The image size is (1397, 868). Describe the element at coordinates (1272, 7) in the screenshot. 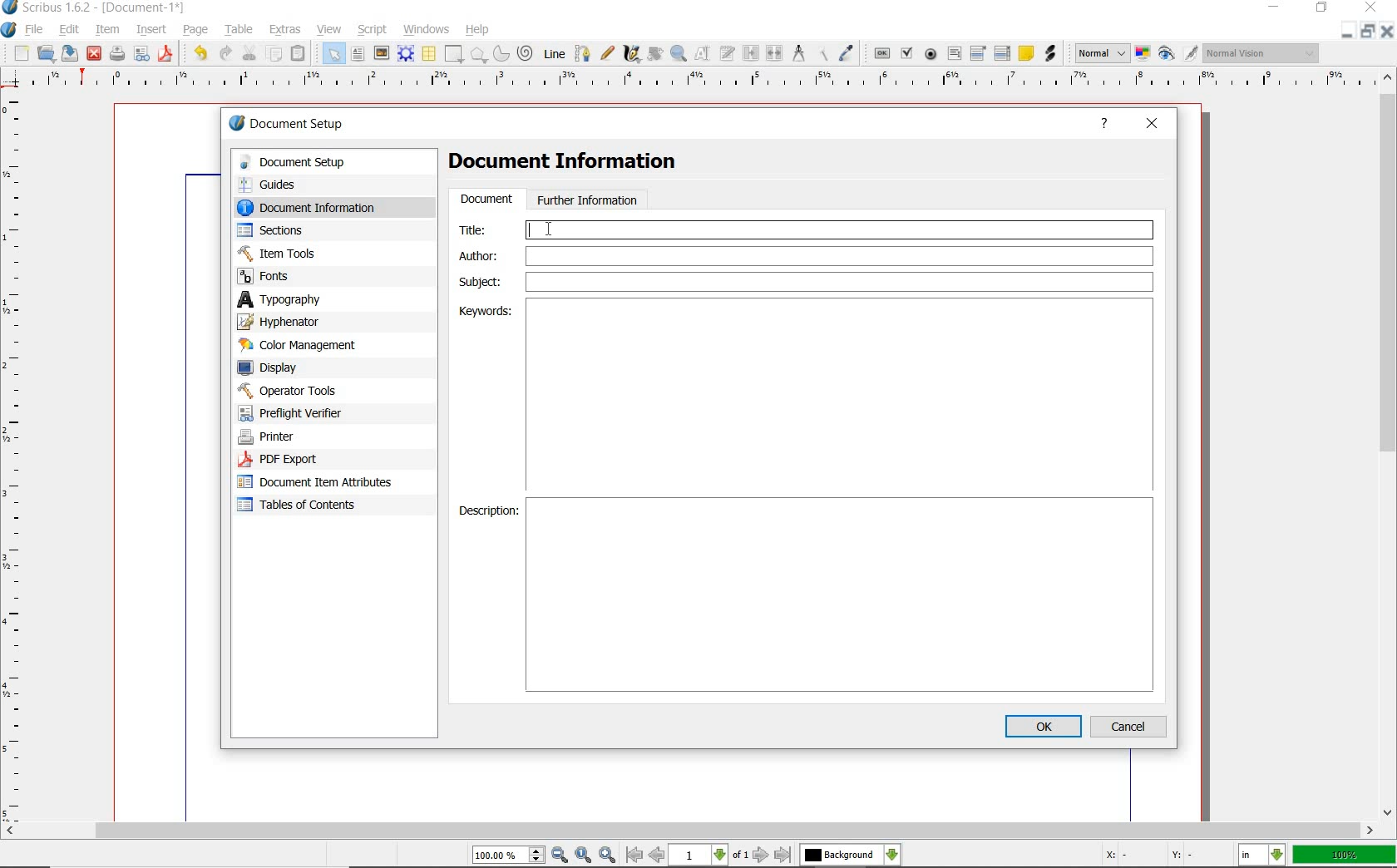

I see `minimize` at that location.